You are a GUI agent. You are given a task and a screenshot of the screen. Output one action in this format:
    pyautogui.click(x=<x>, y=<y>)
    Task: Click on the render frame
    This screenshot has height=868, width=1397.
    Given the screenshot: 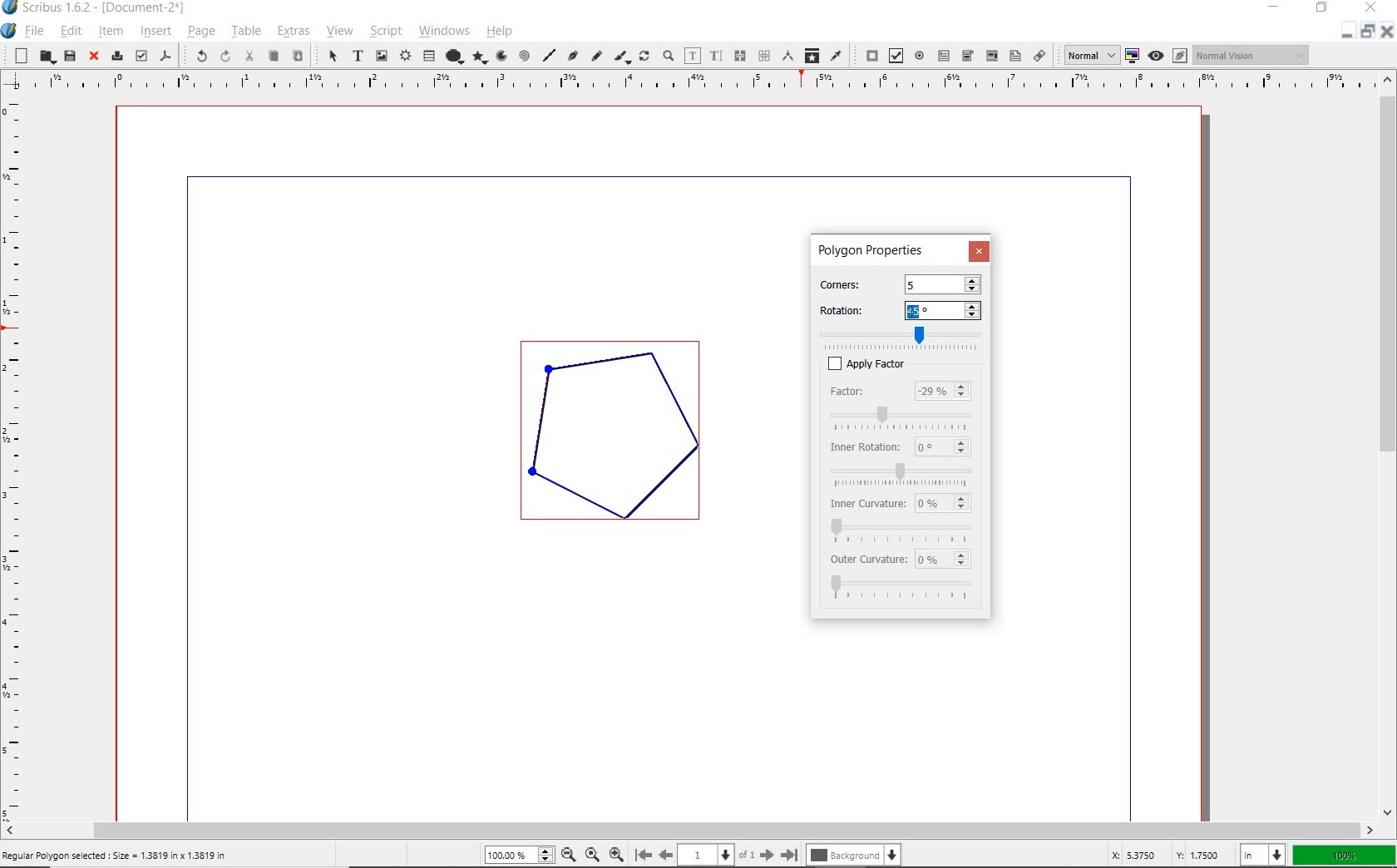 What is the action you would take?
    pyautogui.click(x=405, y=54)
    